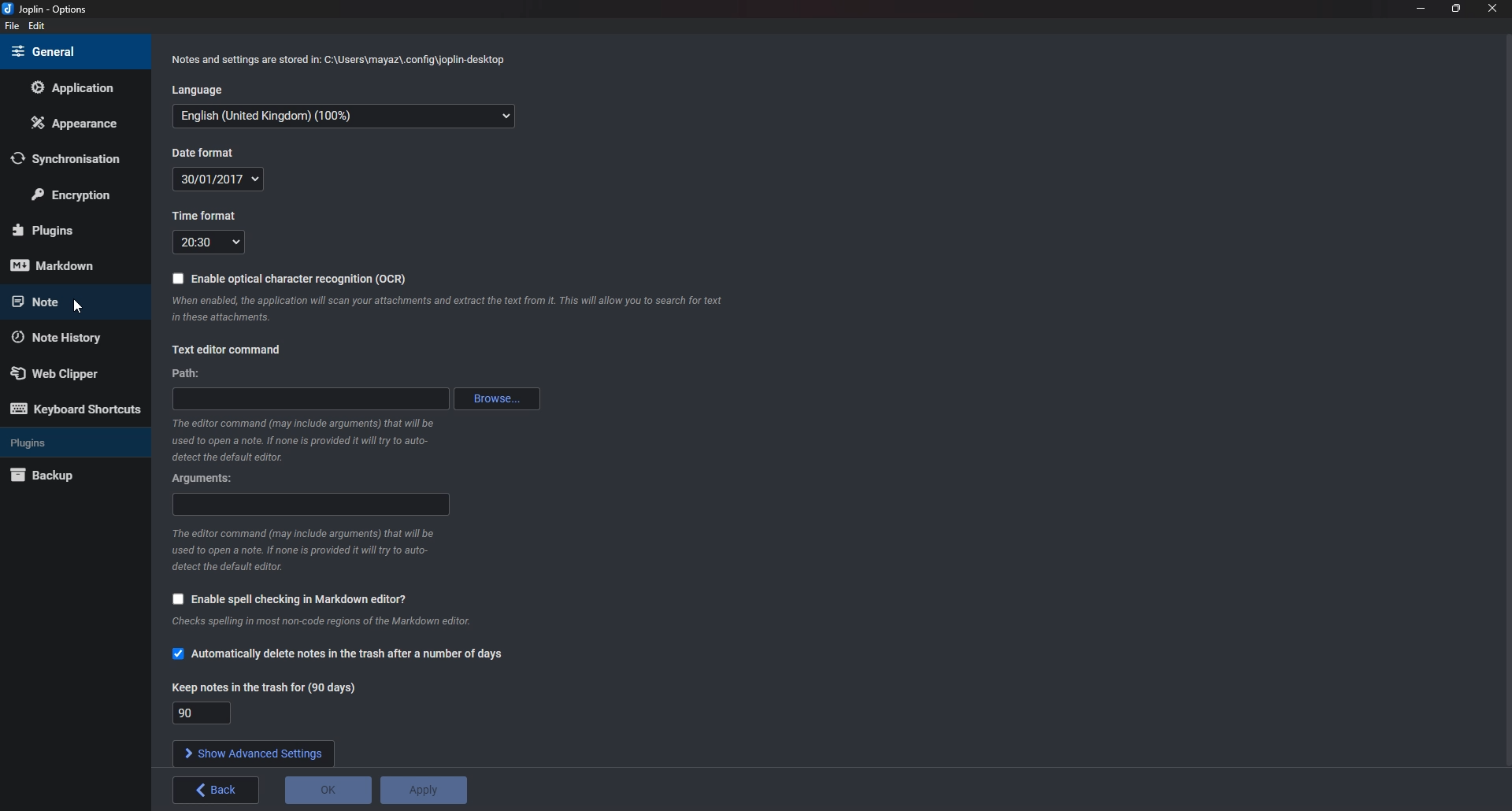 The image size is (1512, 811). Describe the element at coordinates (209, 153) in the screenshot. I see `Date format` at that location.